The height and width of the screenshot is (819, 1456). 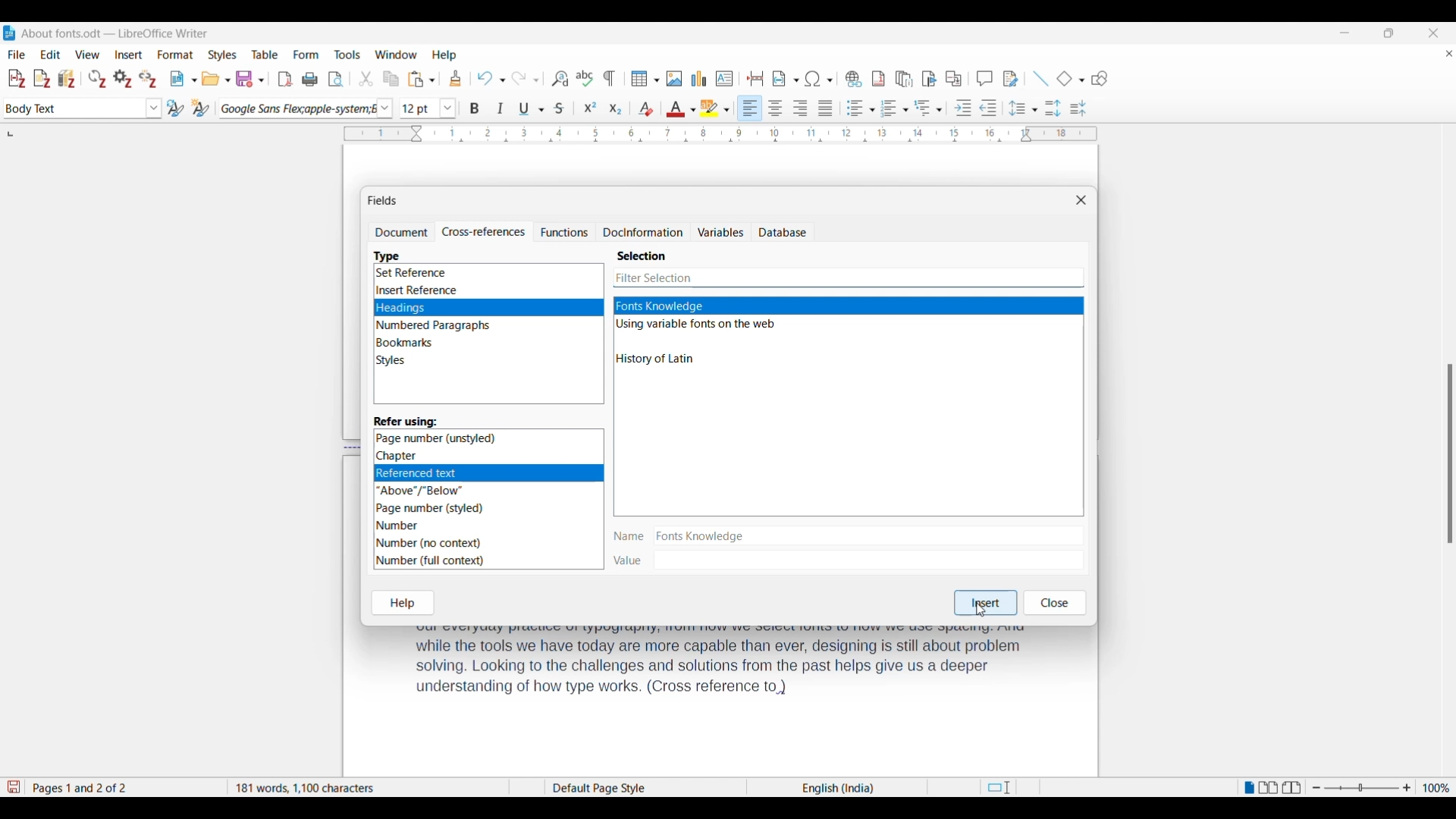 What do you see at coordinates (175, 55) in the screenshot?
I see `Format menu` at bounding box center [175, 55].